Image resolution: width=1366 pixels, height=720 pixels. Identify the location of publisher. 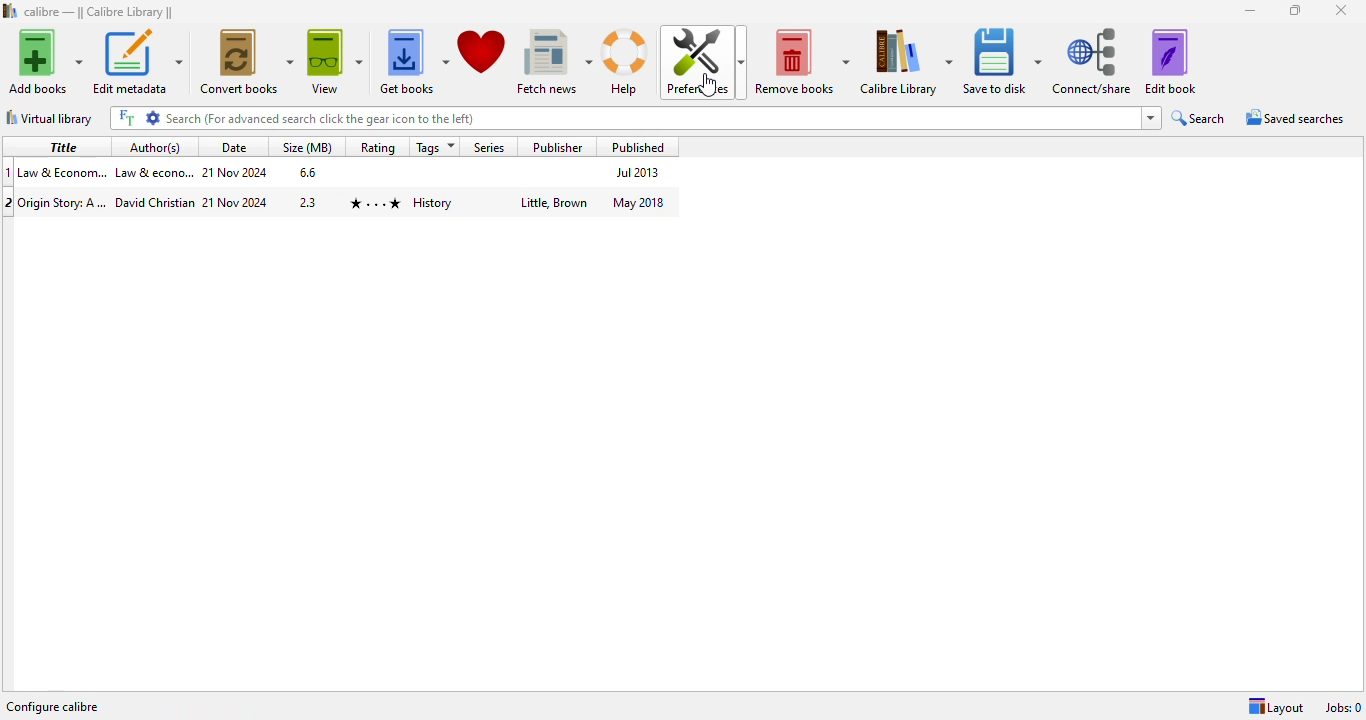
(557, 146).